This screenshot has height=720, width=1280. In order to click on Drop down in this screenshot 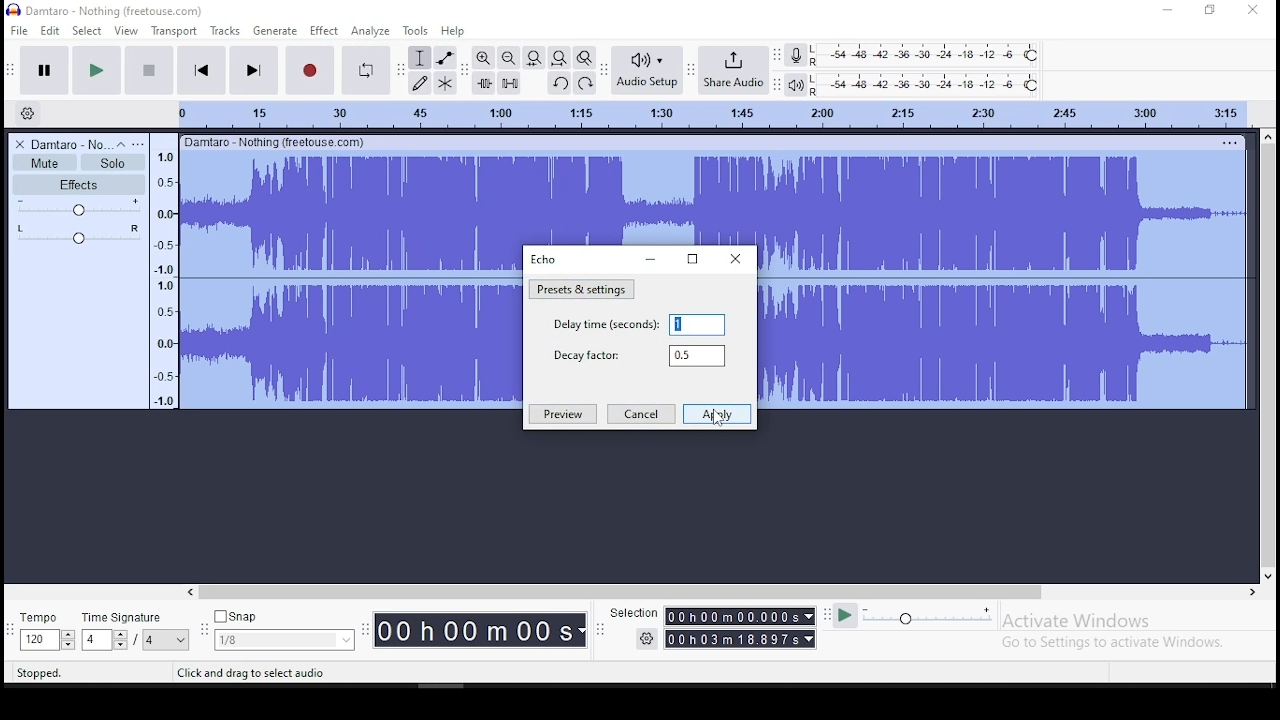, I will do `click(67, 641)`.